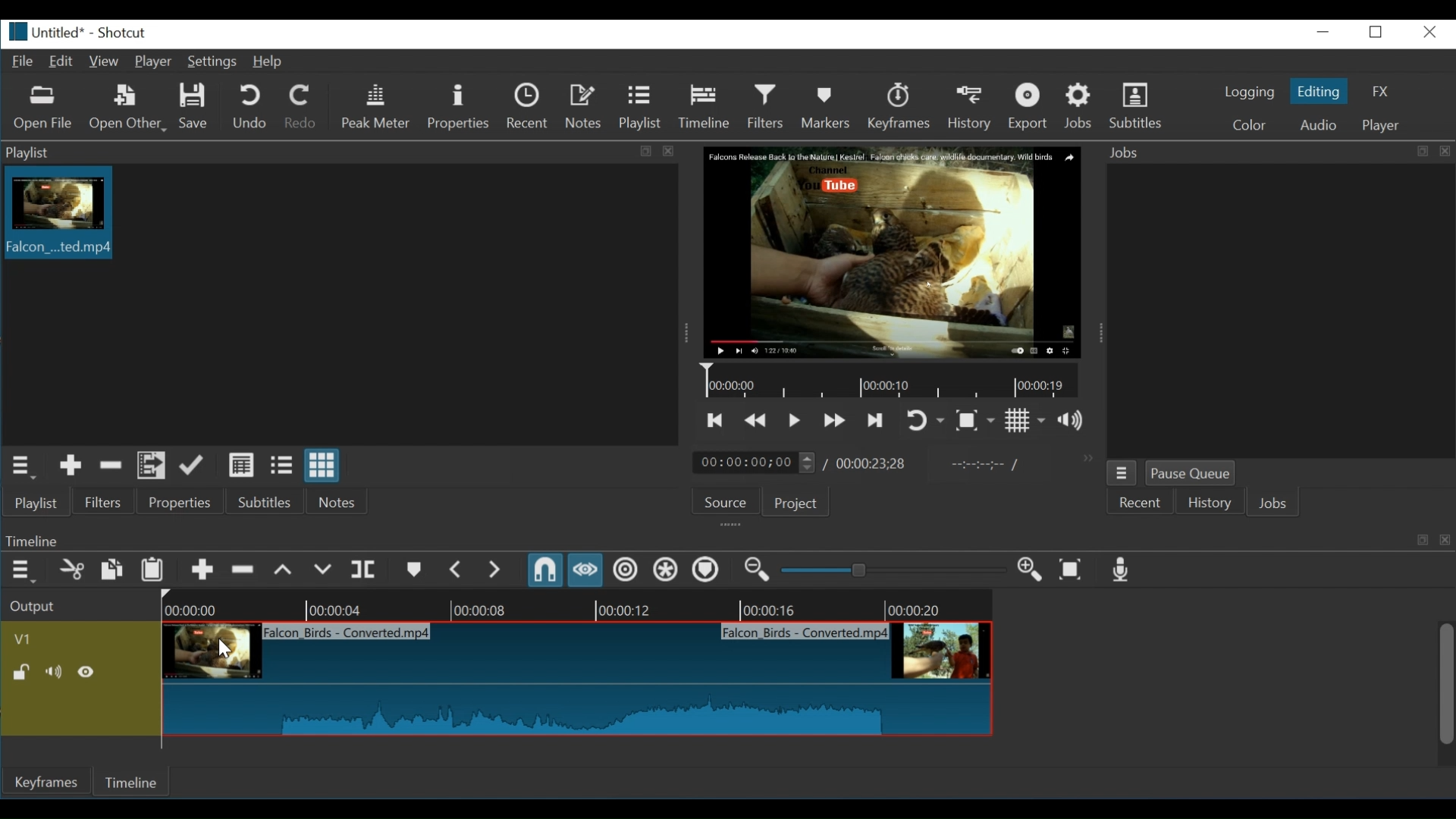 The height and width of the screenshot is (819, 1456). Describe the element at coordinates (1317, 90) in the screenshot. I see `Eiting` at that location.